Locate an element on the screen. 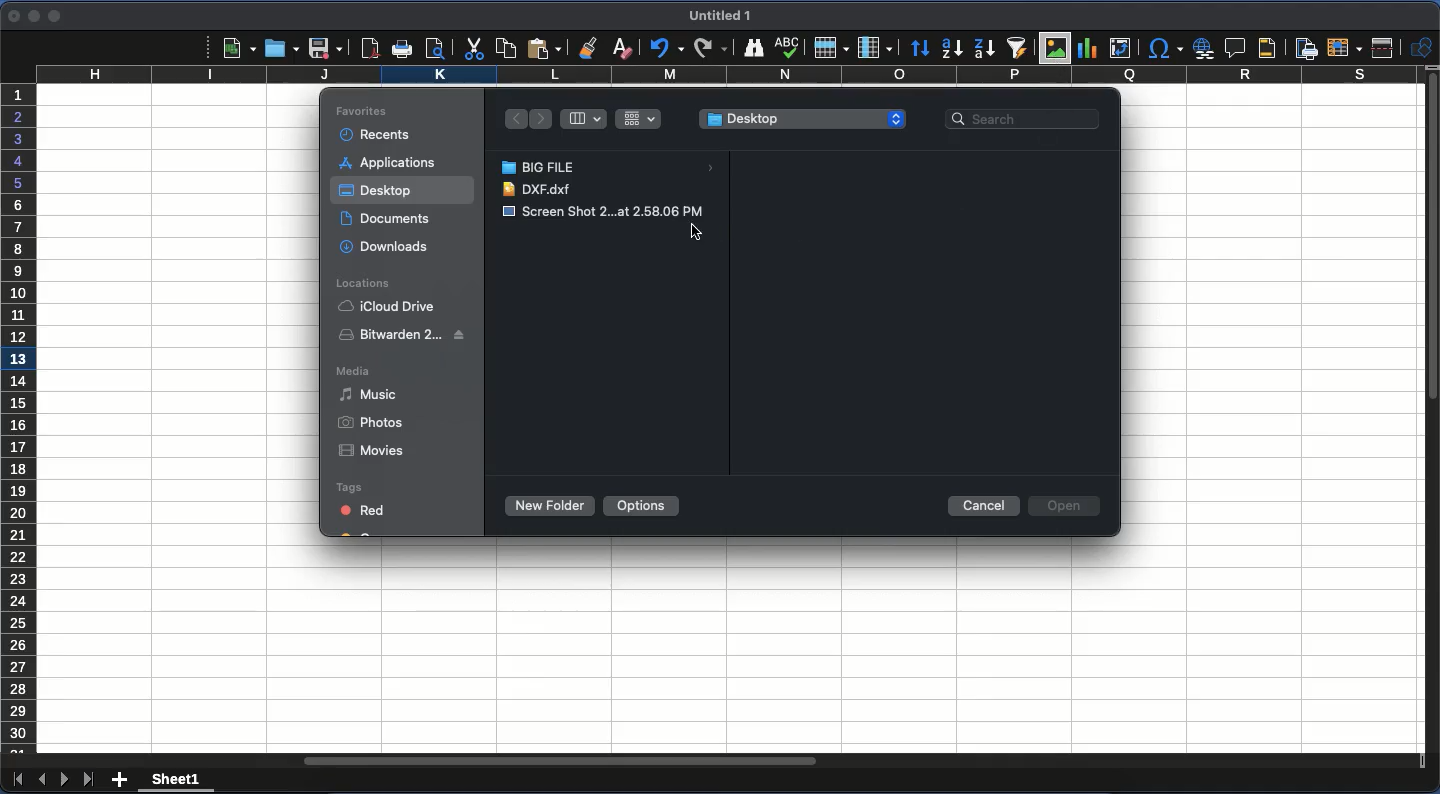 The width and height of the screenshot is (1440, 794). music is located at coordinates (367, 394).